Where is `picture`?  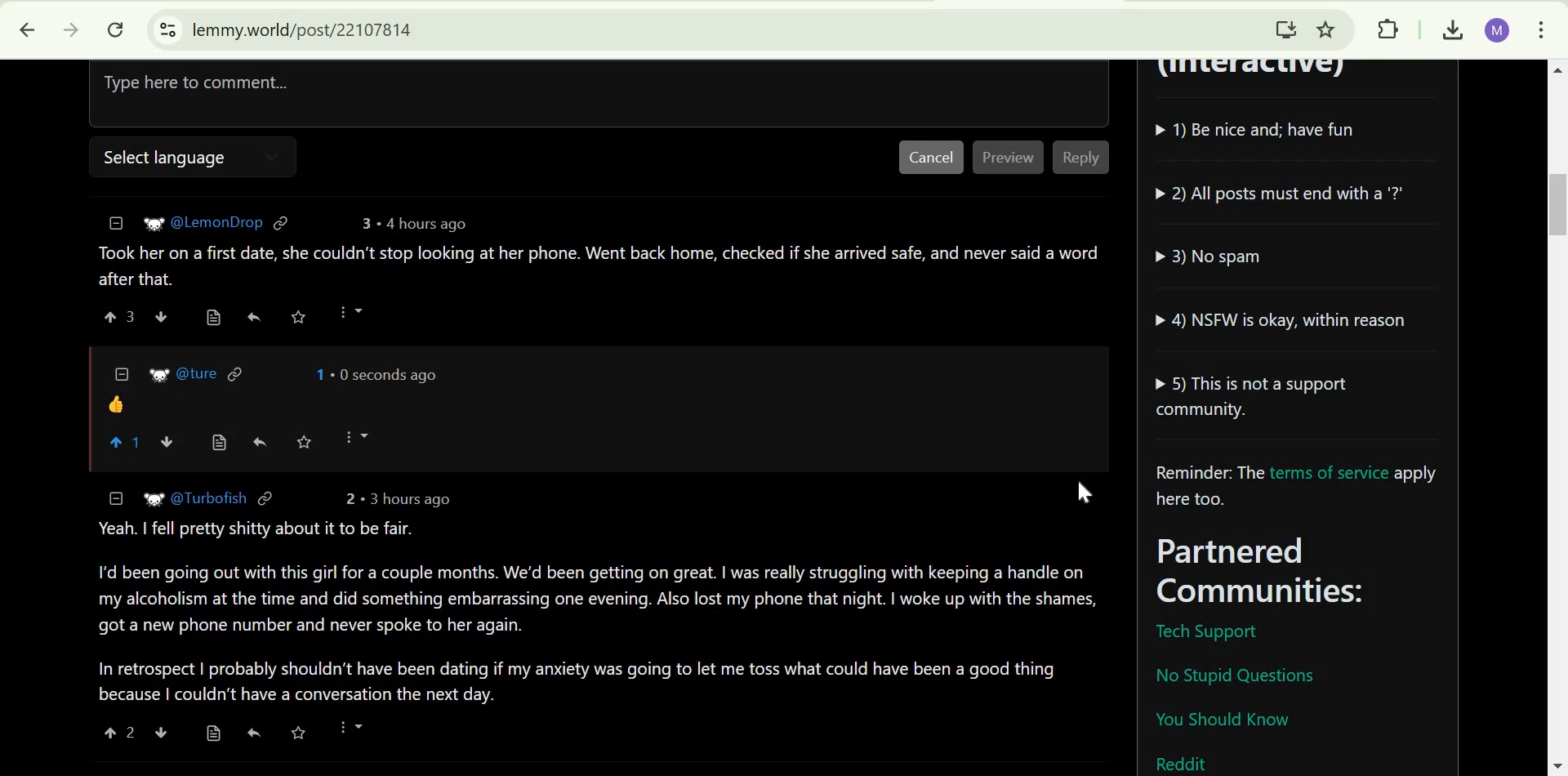 picture is located at coordinates (154, 222).